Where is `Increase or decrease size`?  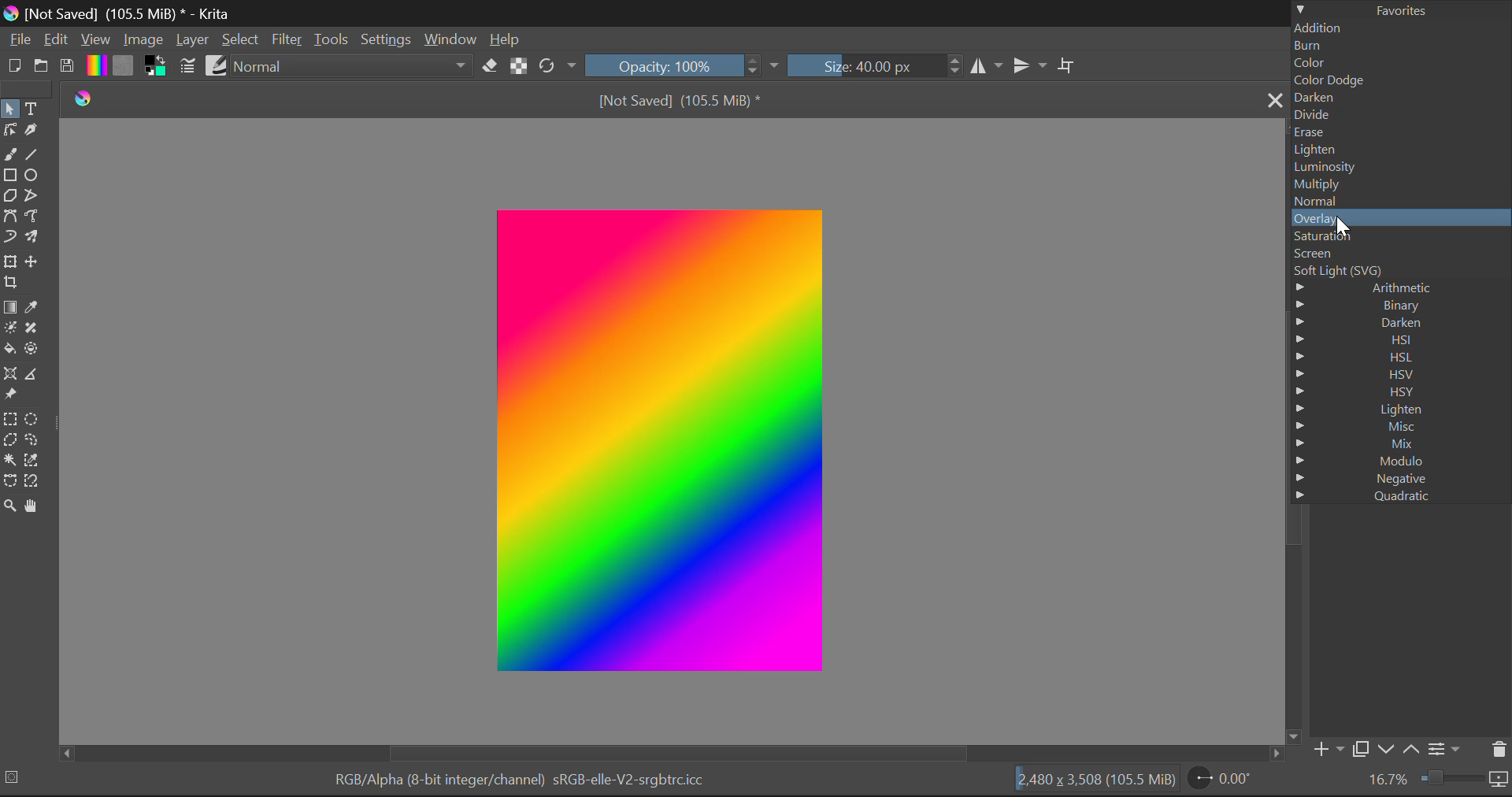 Increase or decrease size is located at coordinates (952, 68).